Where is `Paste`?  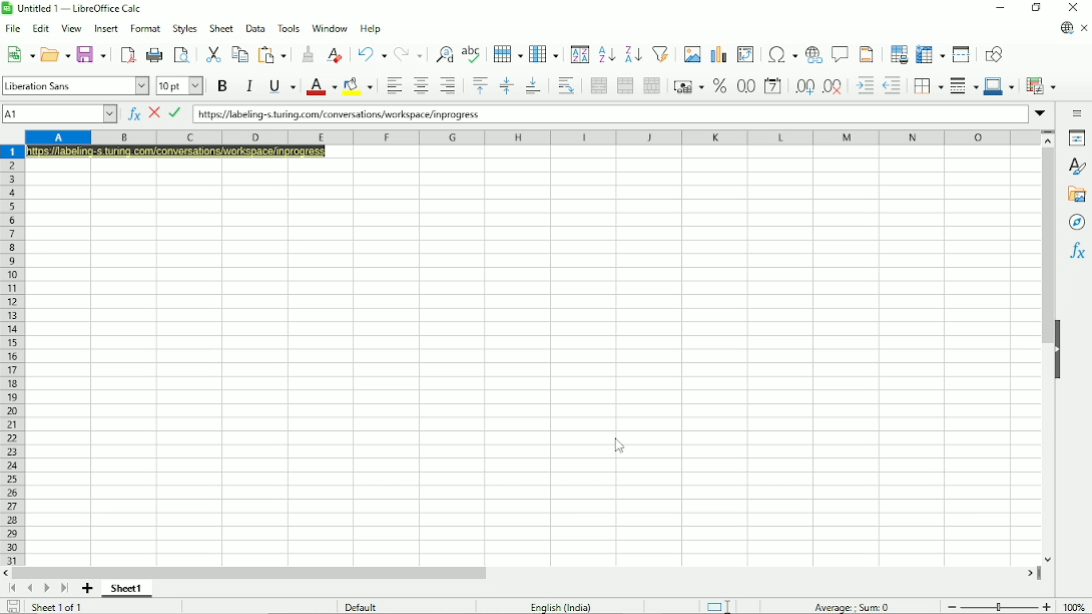
Paste is located at coordinates (274, 55).